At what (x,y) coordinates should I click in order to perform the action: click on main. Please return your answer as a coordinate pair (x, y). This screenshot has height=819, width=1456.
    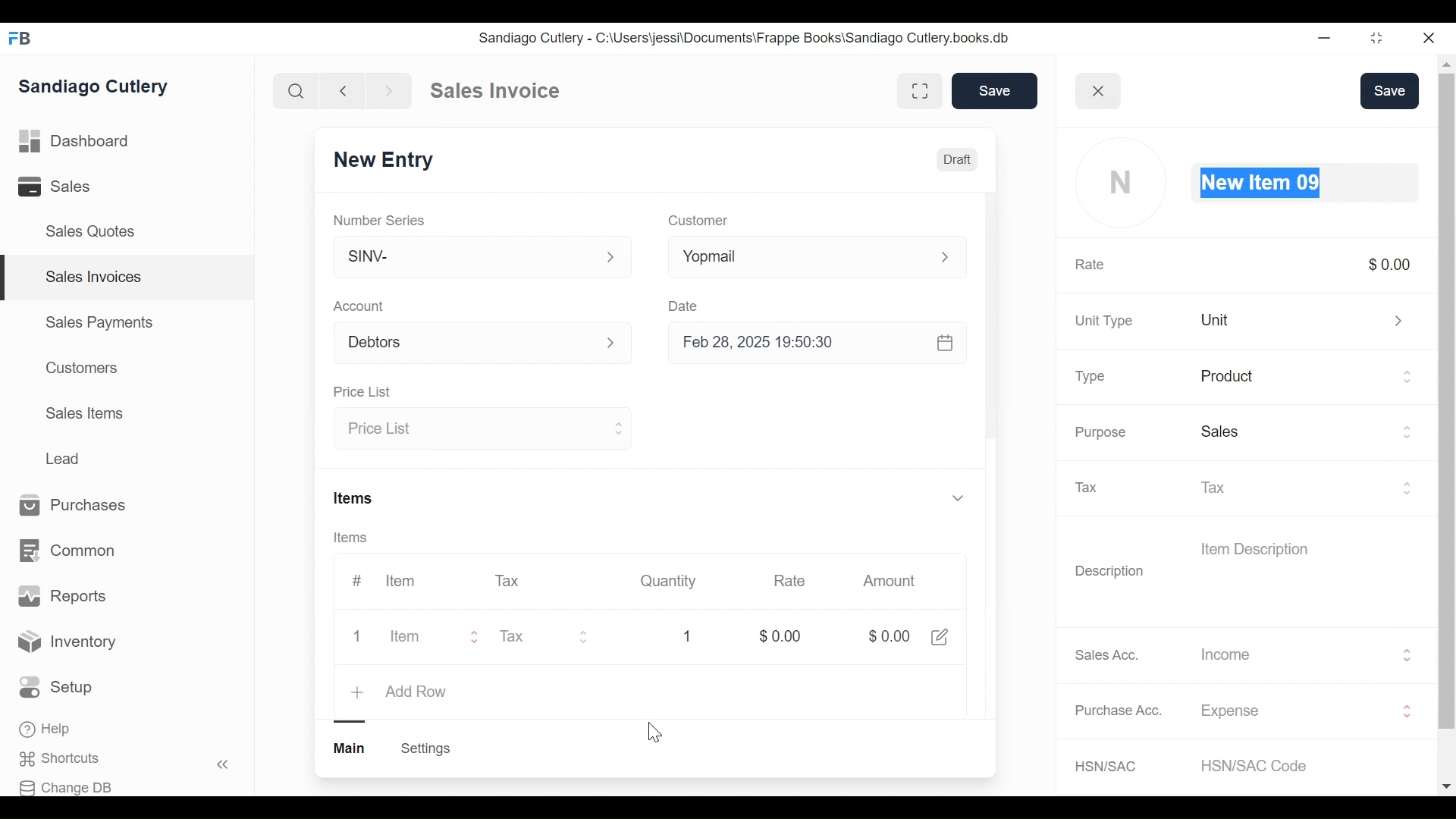
    Looking at the image, I should click on (351, 748).